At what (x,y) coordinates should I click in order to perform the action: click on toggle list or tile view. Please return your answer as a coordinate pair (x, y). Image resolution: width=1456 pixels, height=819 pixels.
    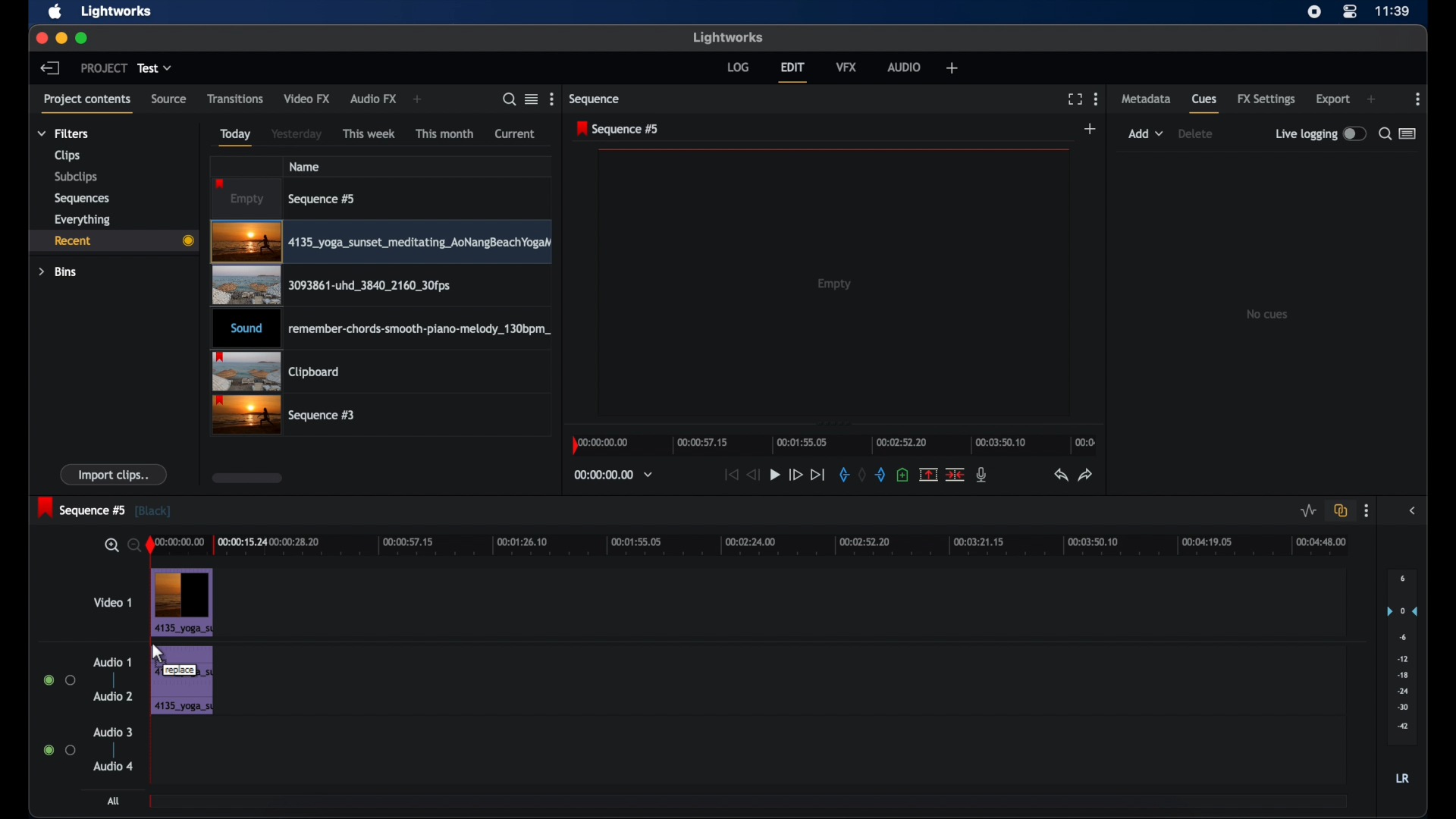
    Looking at the image, I should click on (532, 99).